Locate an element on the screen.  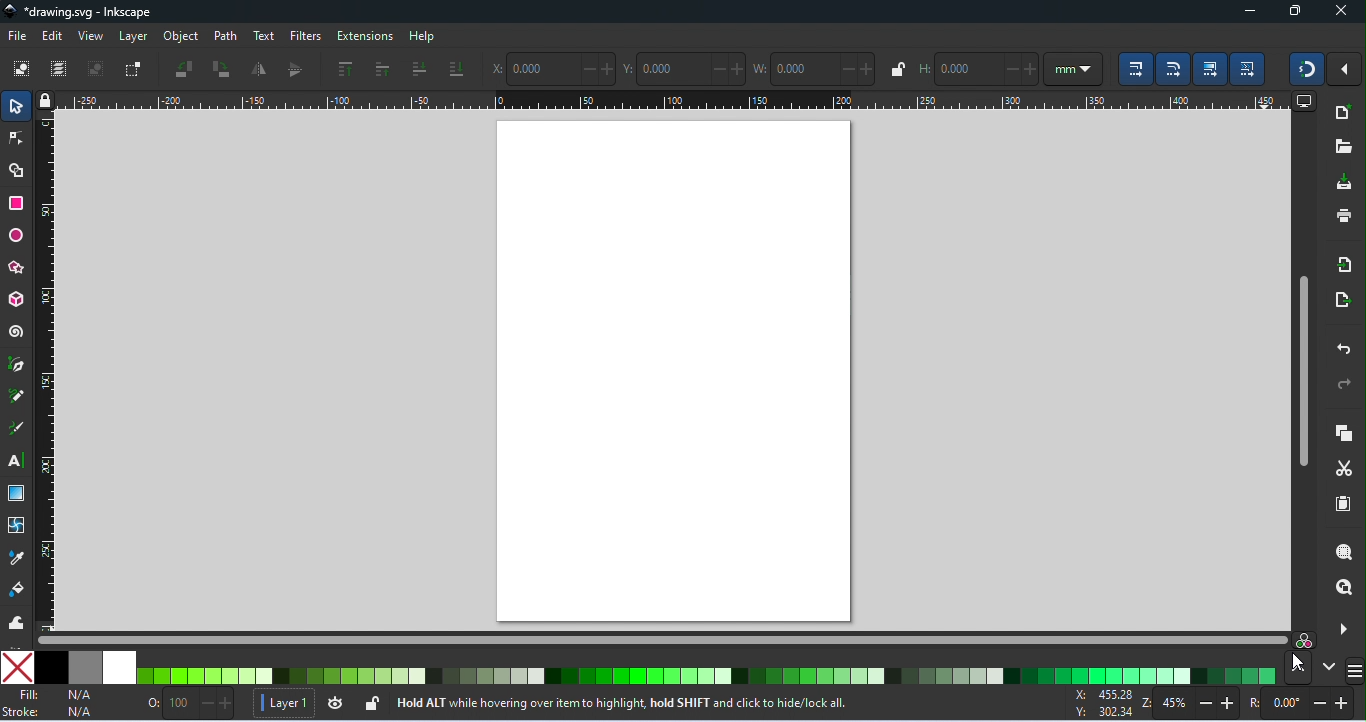
fill is located at coordinates (58, 694).